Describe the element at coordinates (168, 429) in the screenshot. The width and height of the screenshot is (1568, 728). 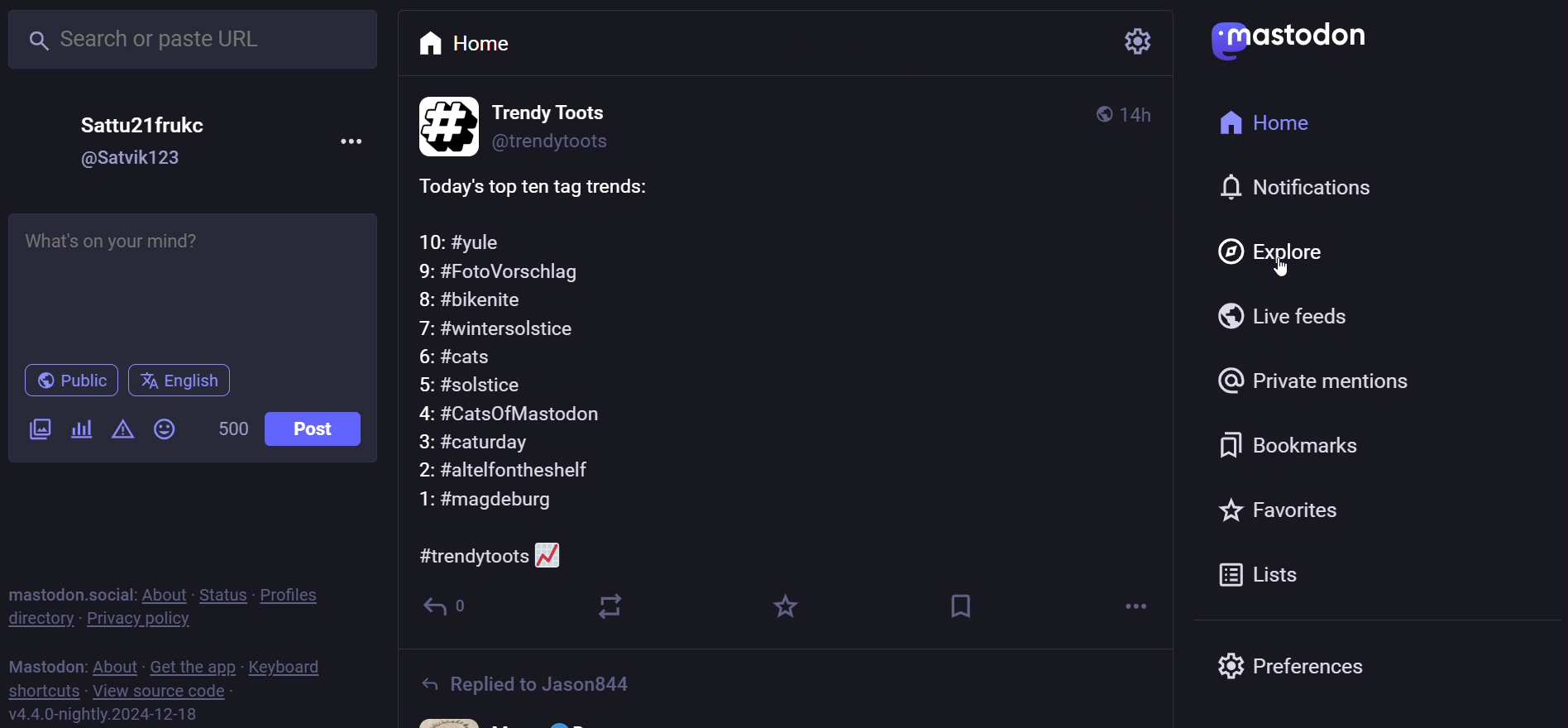
I see `emoji` at that location.